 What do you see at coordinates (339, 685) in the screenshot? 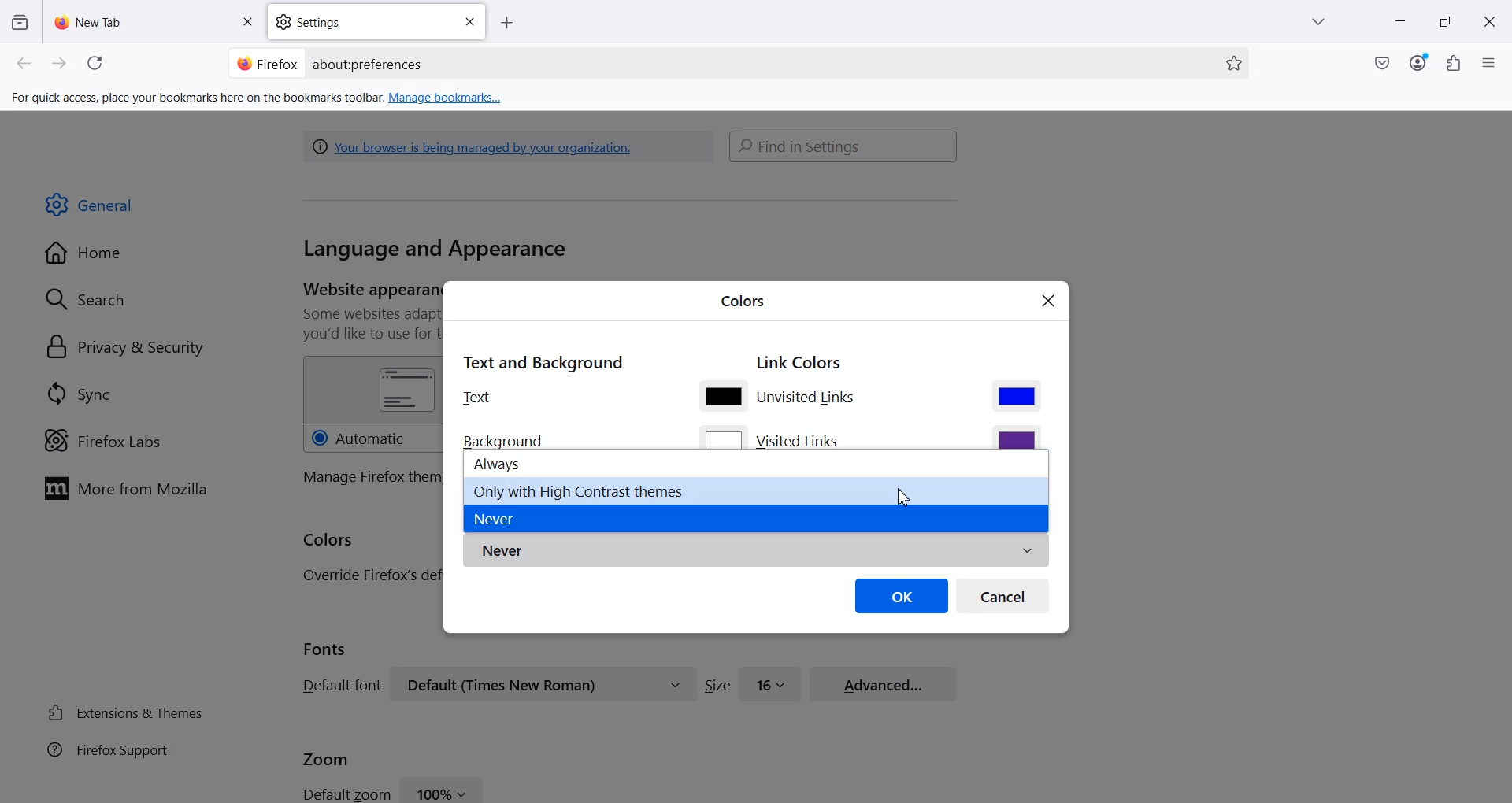
I see `Default font` at bounding box center [339, 685].